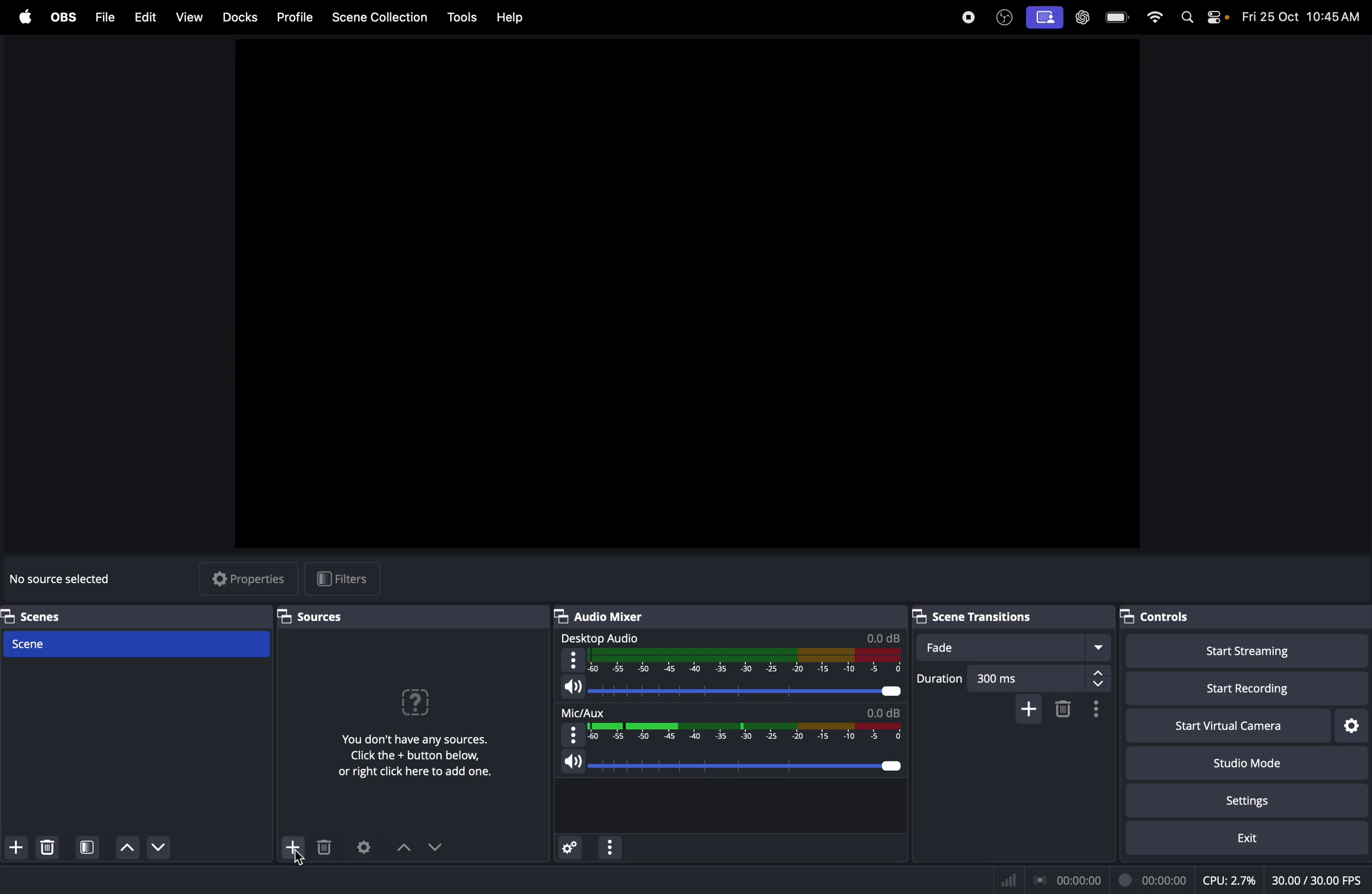 This screenshot has width=1372, height=894. Describe the element at coordinates (165, 850) in the screenshot. I see `Move scene up` at that location.